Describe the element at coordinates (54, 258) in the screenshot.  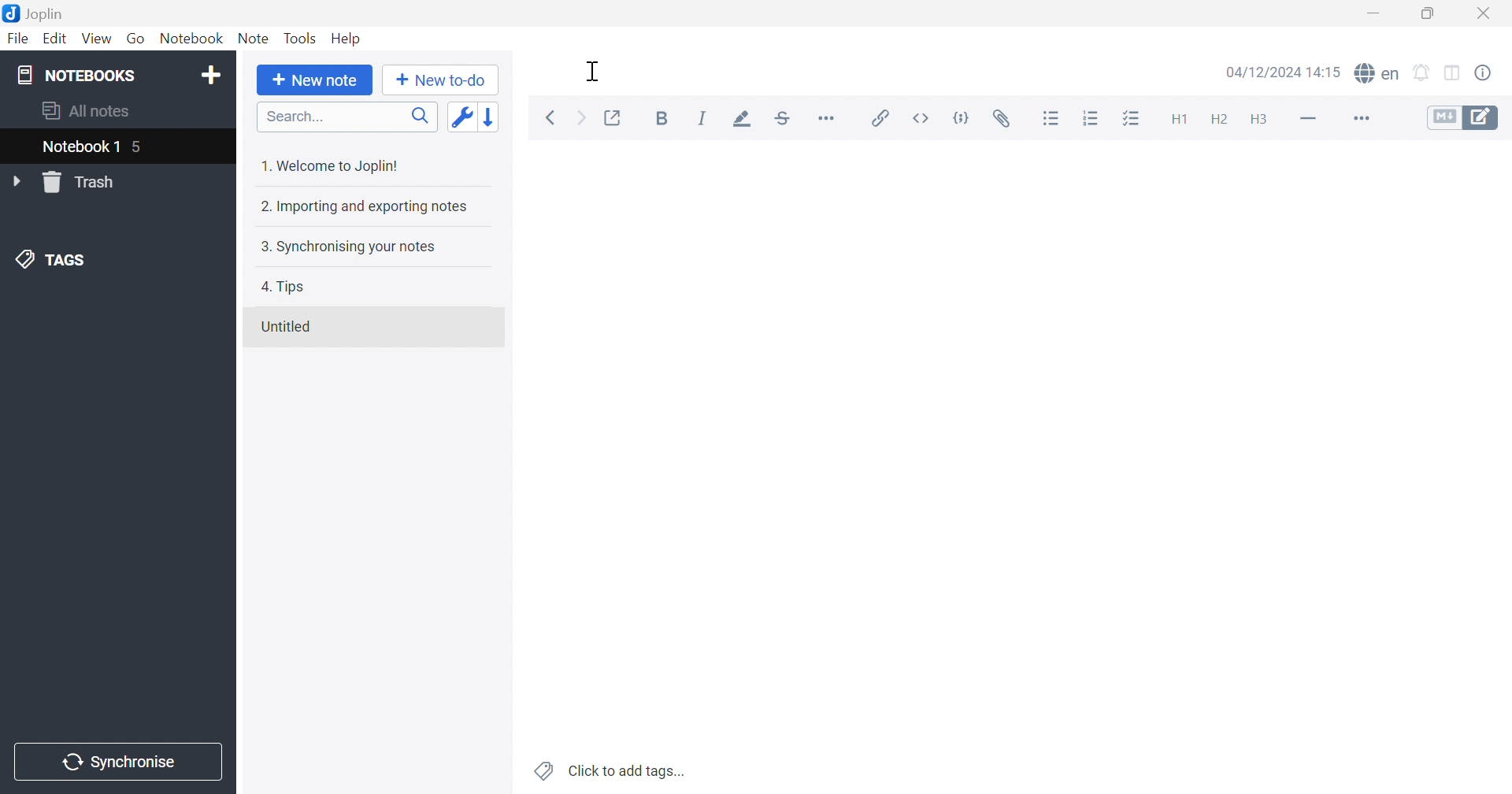
I see `TAGS` at that location.